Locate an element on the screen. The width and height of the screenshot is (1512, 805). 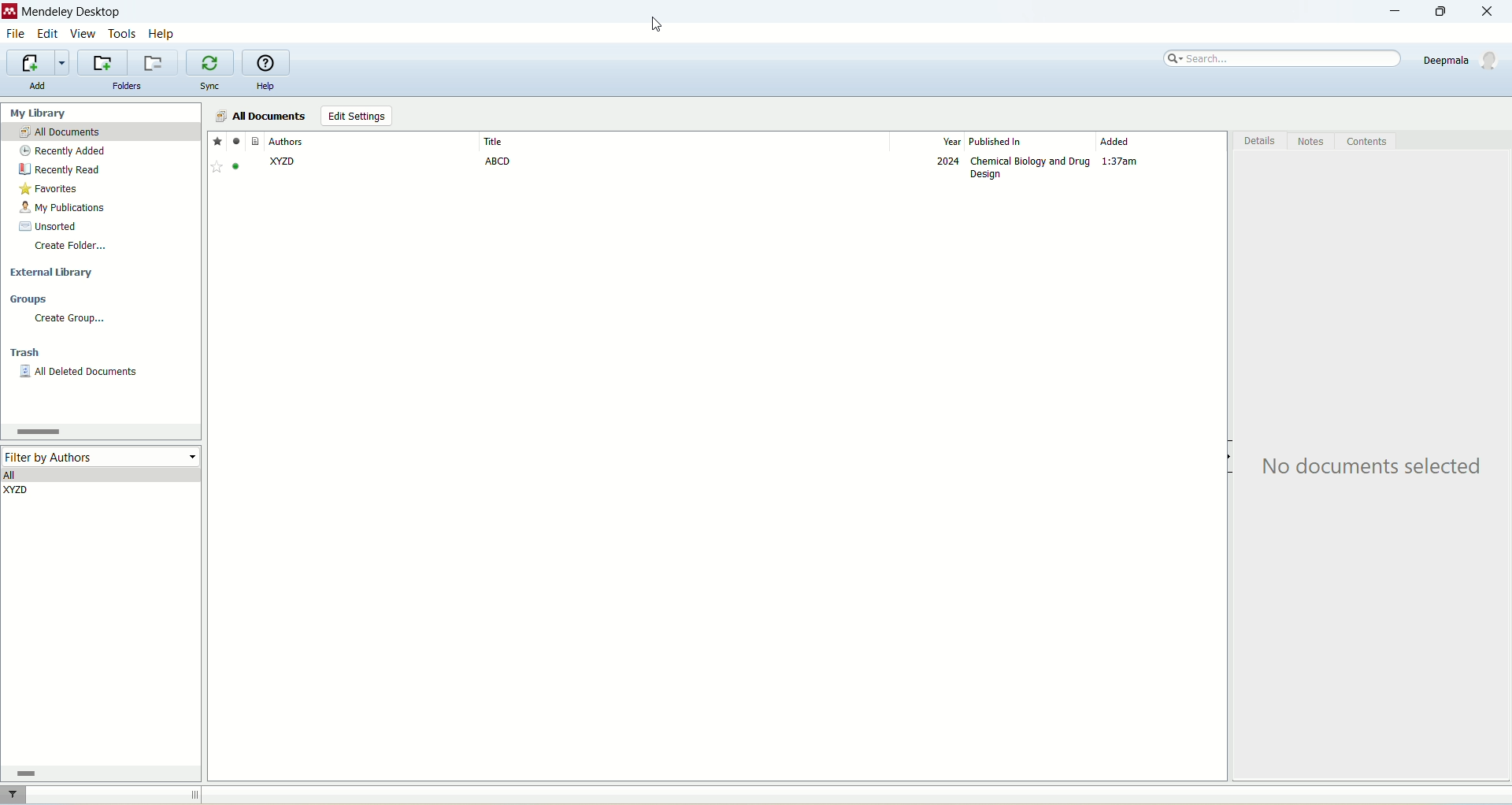
read/unread is located at coordinates (234, 140).